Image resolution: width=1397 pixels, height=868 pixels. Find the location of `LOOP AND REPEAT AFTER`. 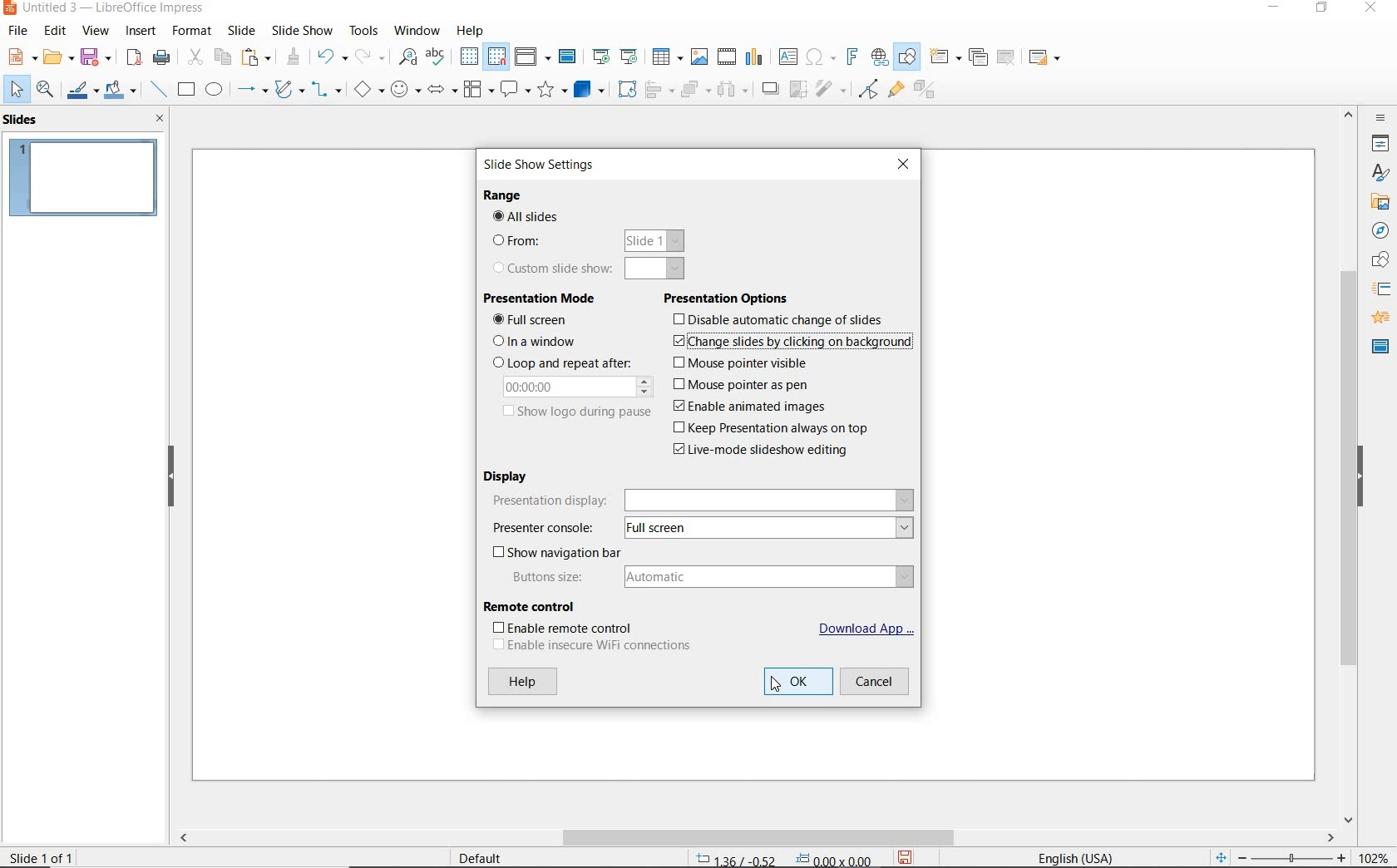

LOOP AND REPEAT AFTER is located at coordinates (557, 364).